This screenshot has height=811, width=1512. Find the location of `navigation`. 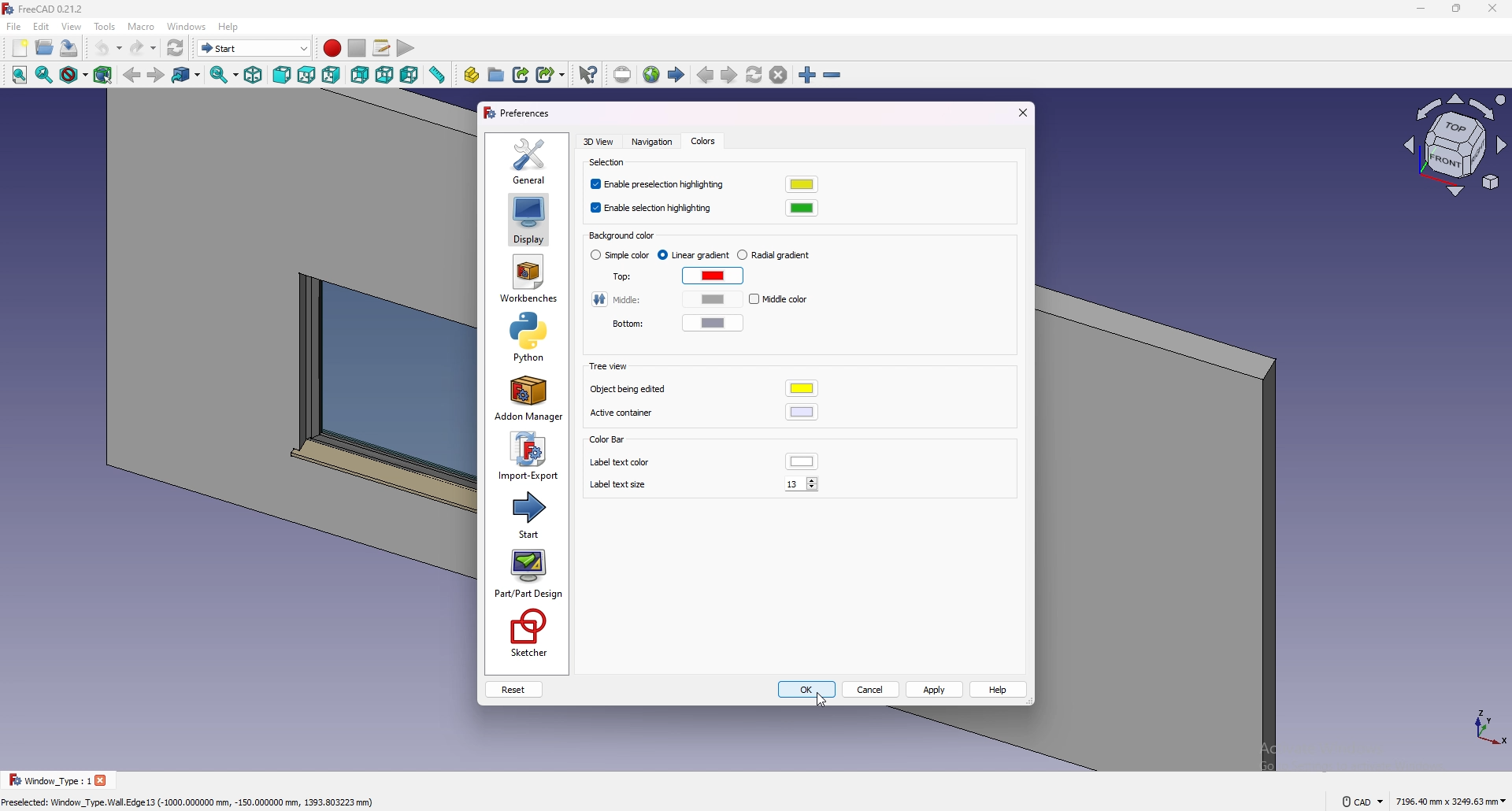

navigation is located at coordinates (650, 143).